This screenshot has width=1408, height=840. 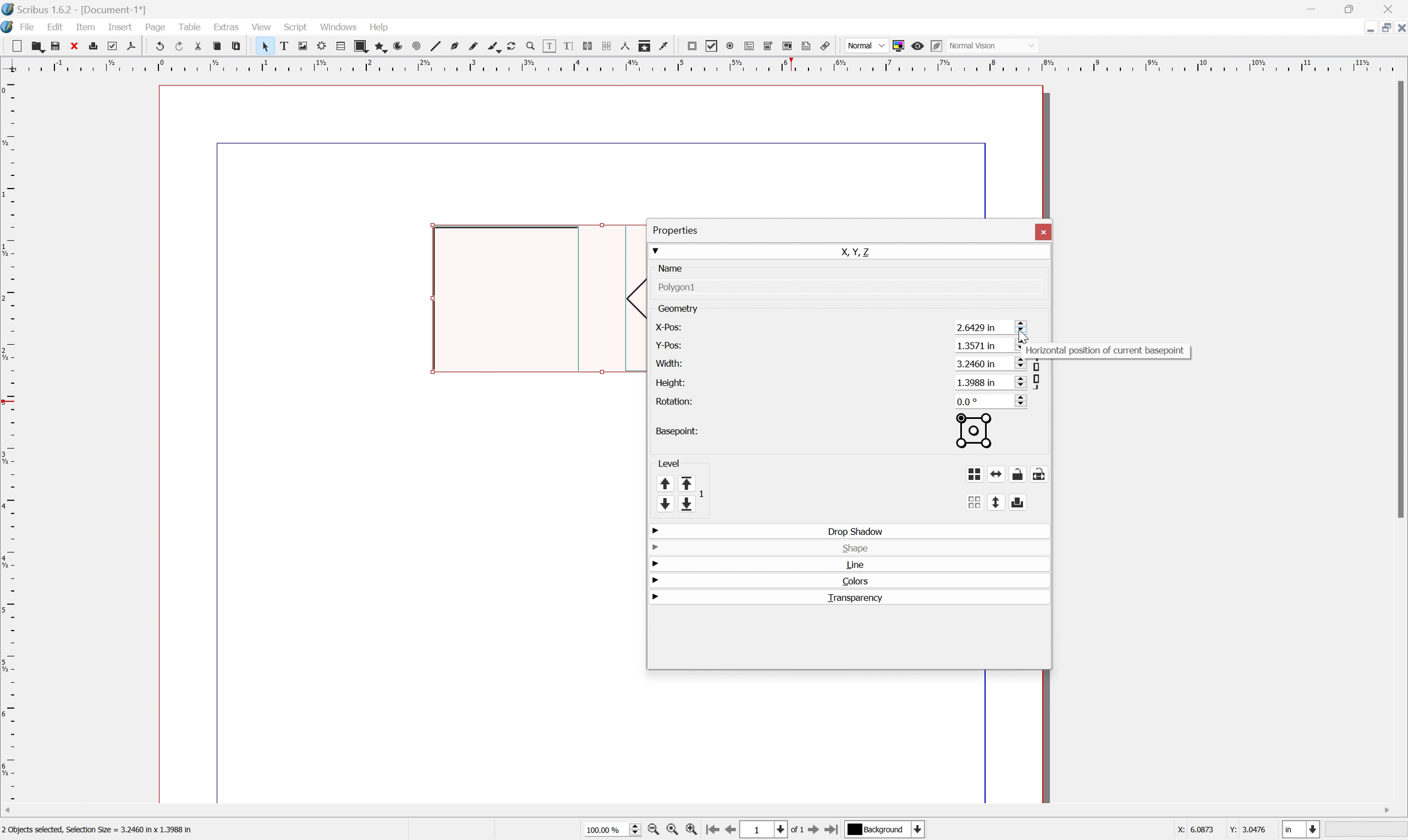 What do you see at coordinates (990, 345) in the screenshot?
I see `1.3571 in` at bounding box center [990, 345].